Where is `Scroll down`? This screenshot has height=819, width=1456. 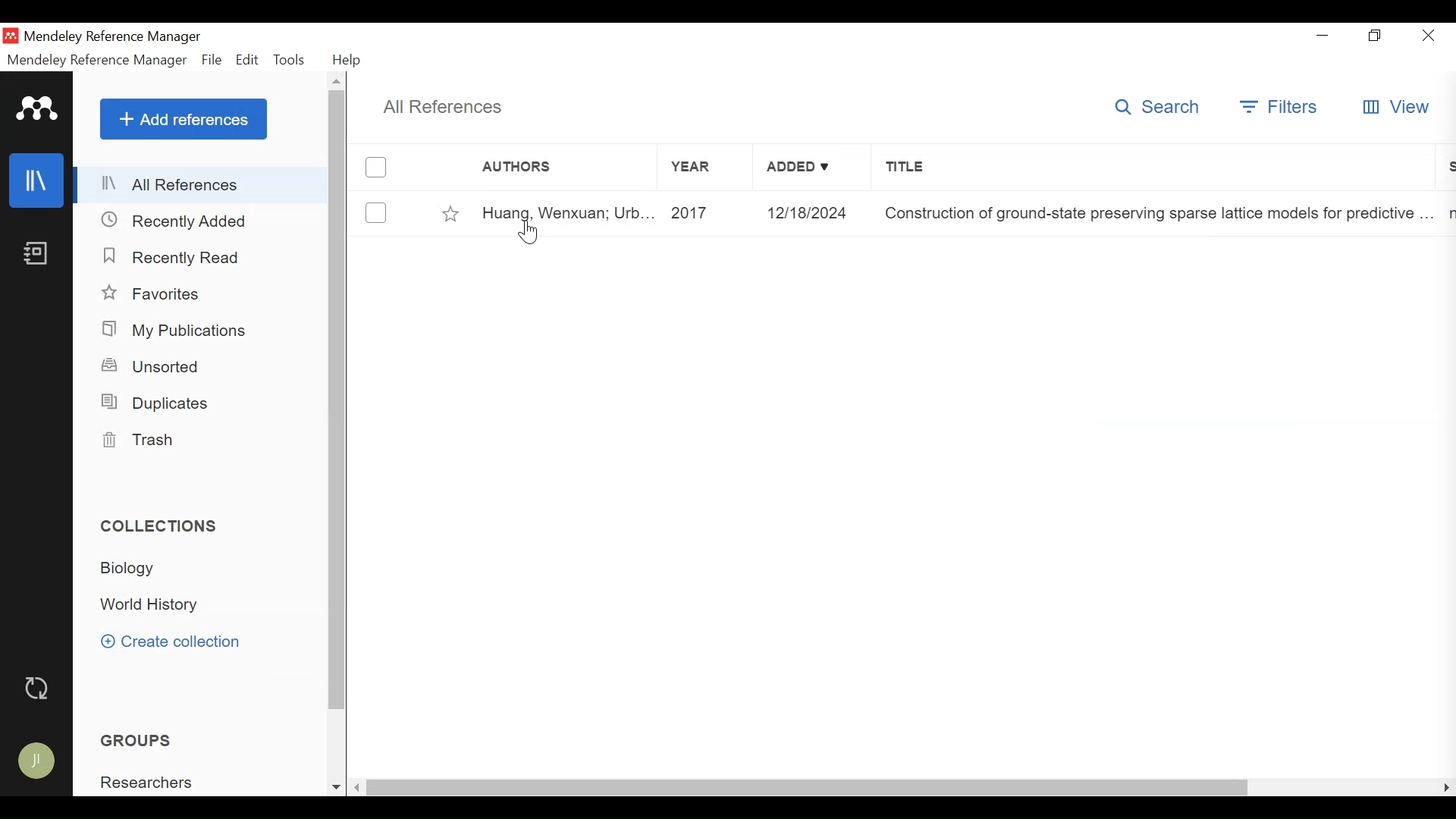 Scroll down is located at coordinates (331, 787).